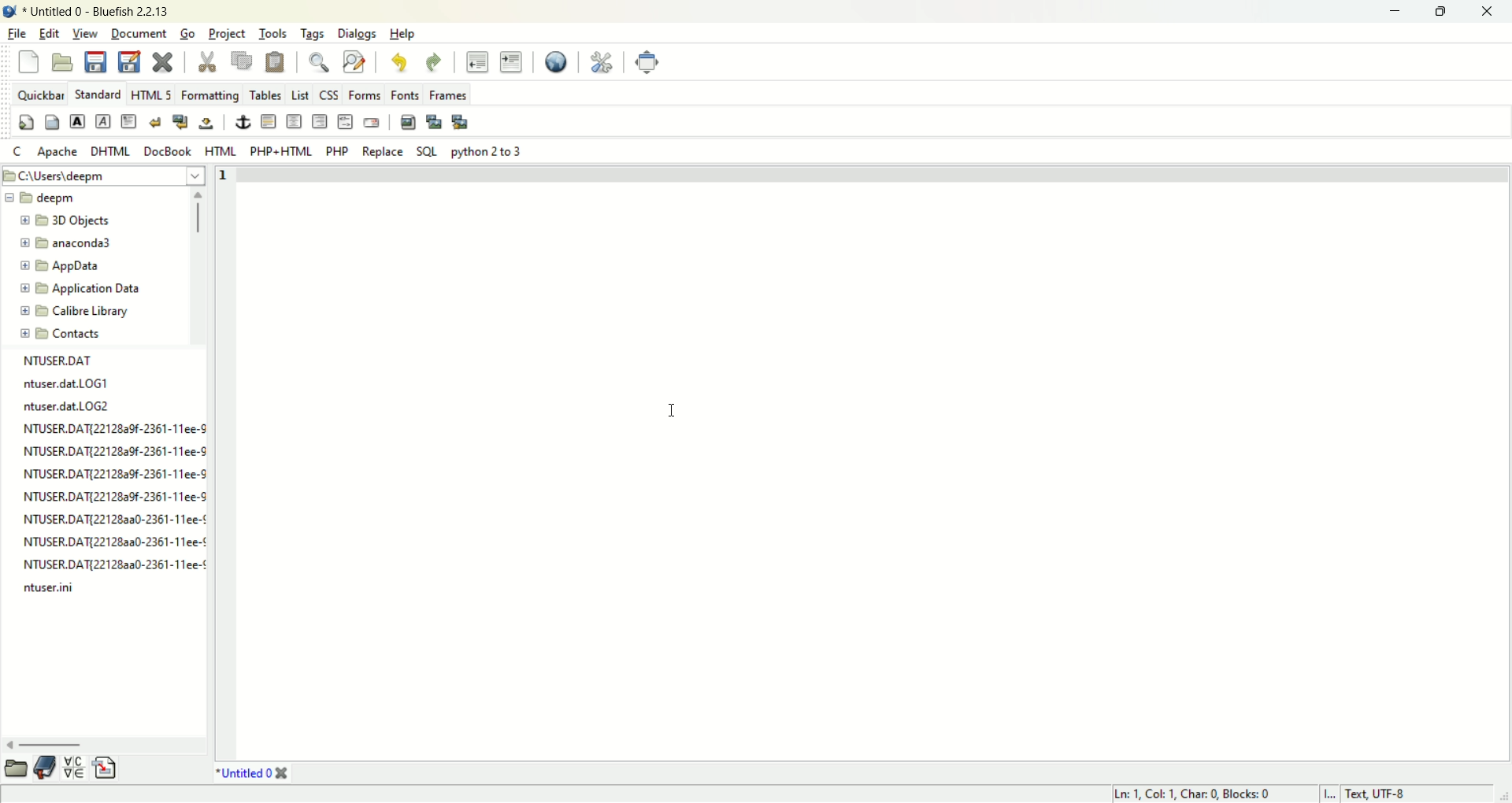  Describe the element at coordinates (27, 123) in the screenshot. I see `quick settings` at that location.